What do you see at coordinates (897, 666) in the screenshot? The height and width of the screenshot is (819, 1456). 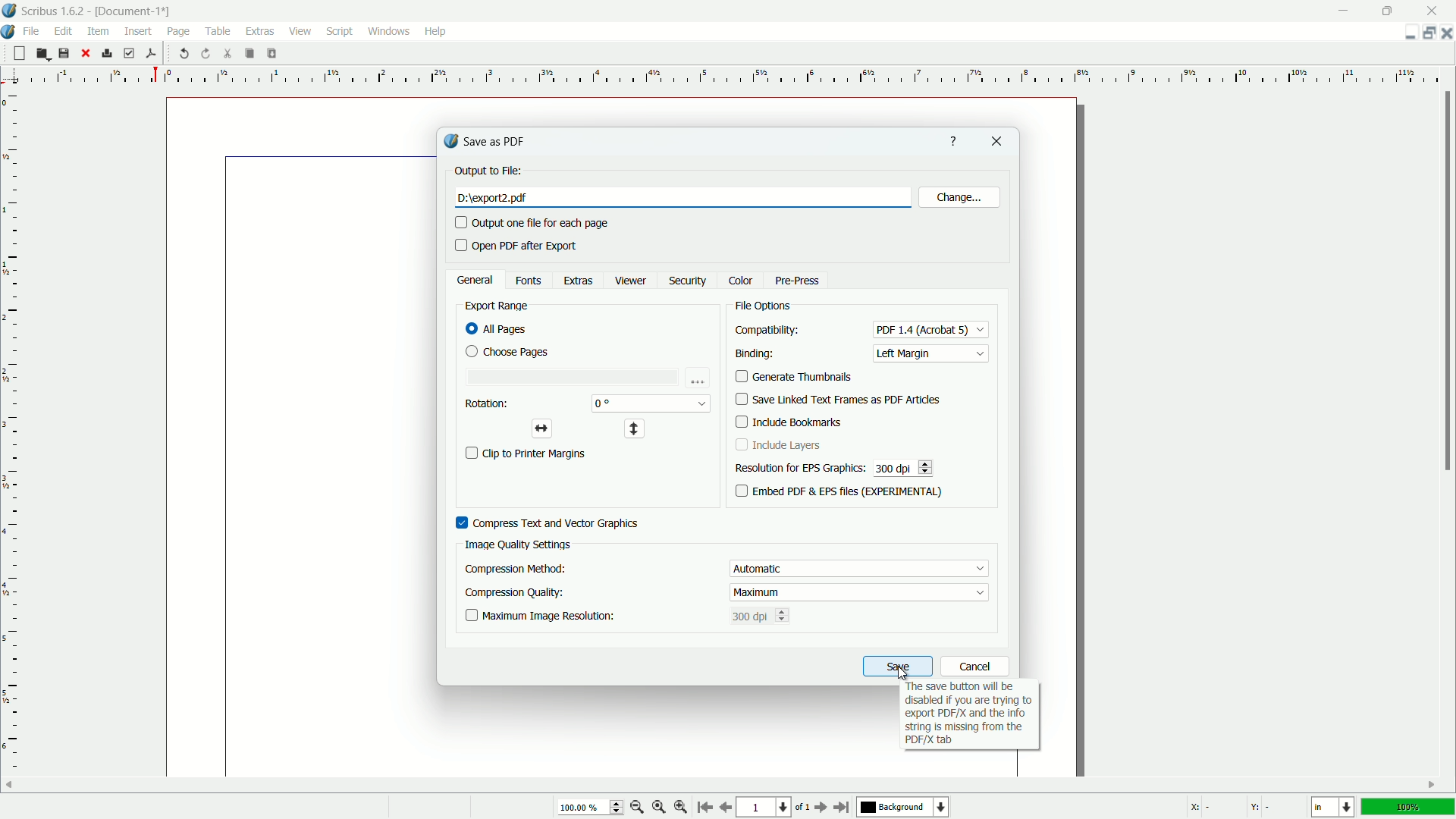 I see `save` at bounding box center [897, 666].